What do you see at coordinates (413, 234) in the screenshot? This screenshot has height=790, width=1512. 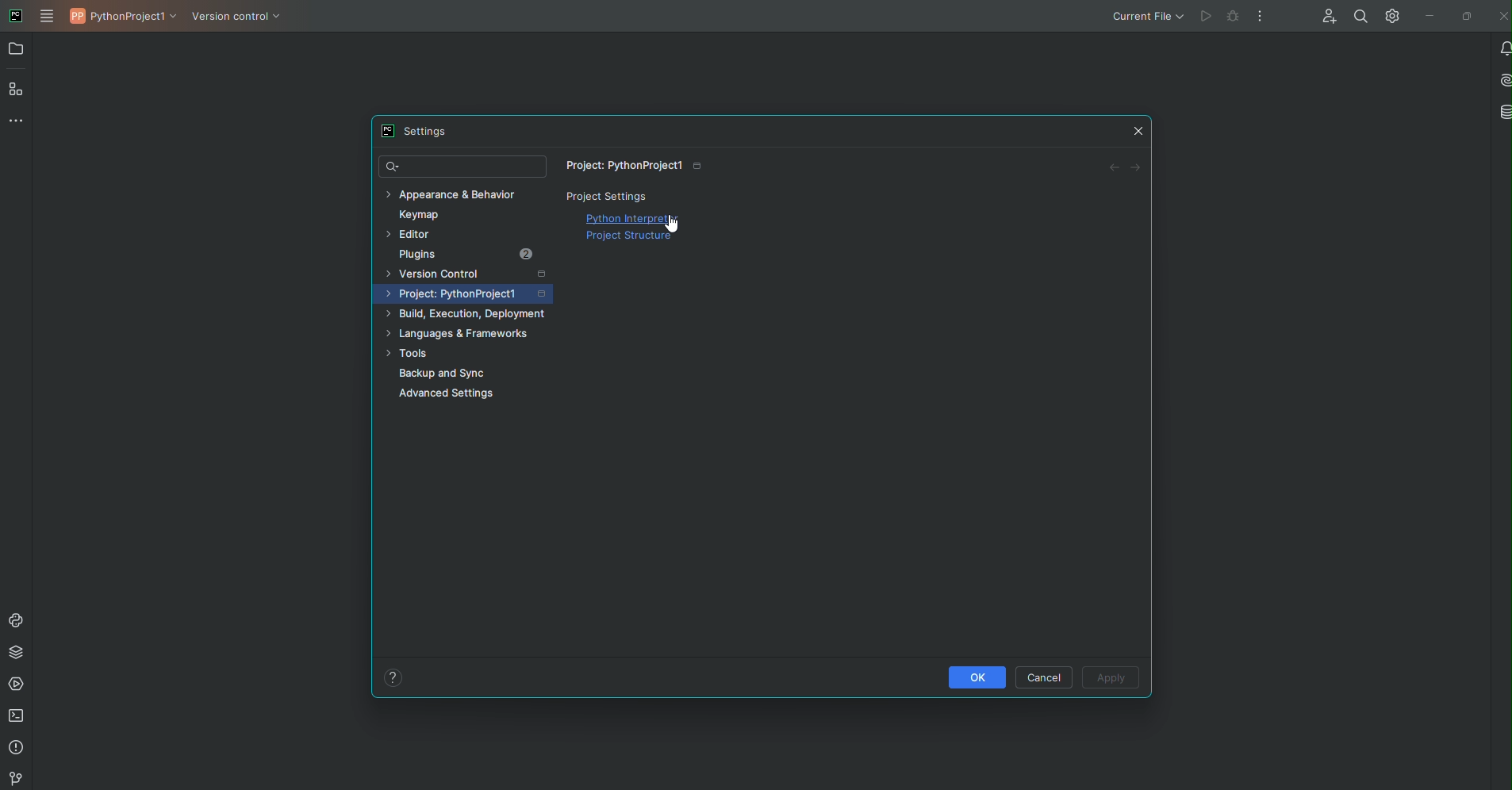 I see `Editor` at bounding box center [413, 234].